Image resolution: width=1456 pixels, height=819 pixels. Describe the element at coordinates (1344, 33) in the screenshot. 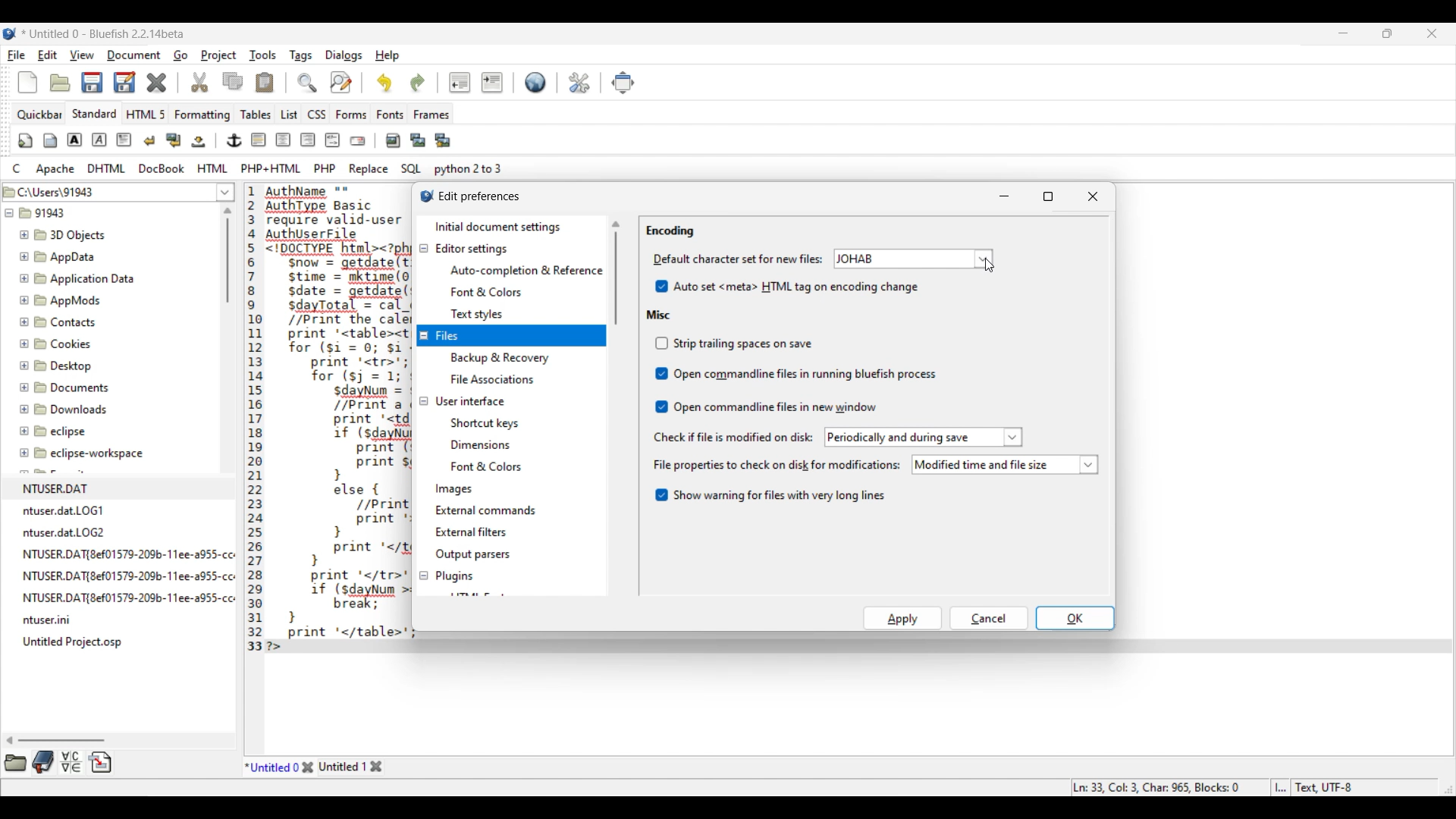

I see `Minimize` at that location.